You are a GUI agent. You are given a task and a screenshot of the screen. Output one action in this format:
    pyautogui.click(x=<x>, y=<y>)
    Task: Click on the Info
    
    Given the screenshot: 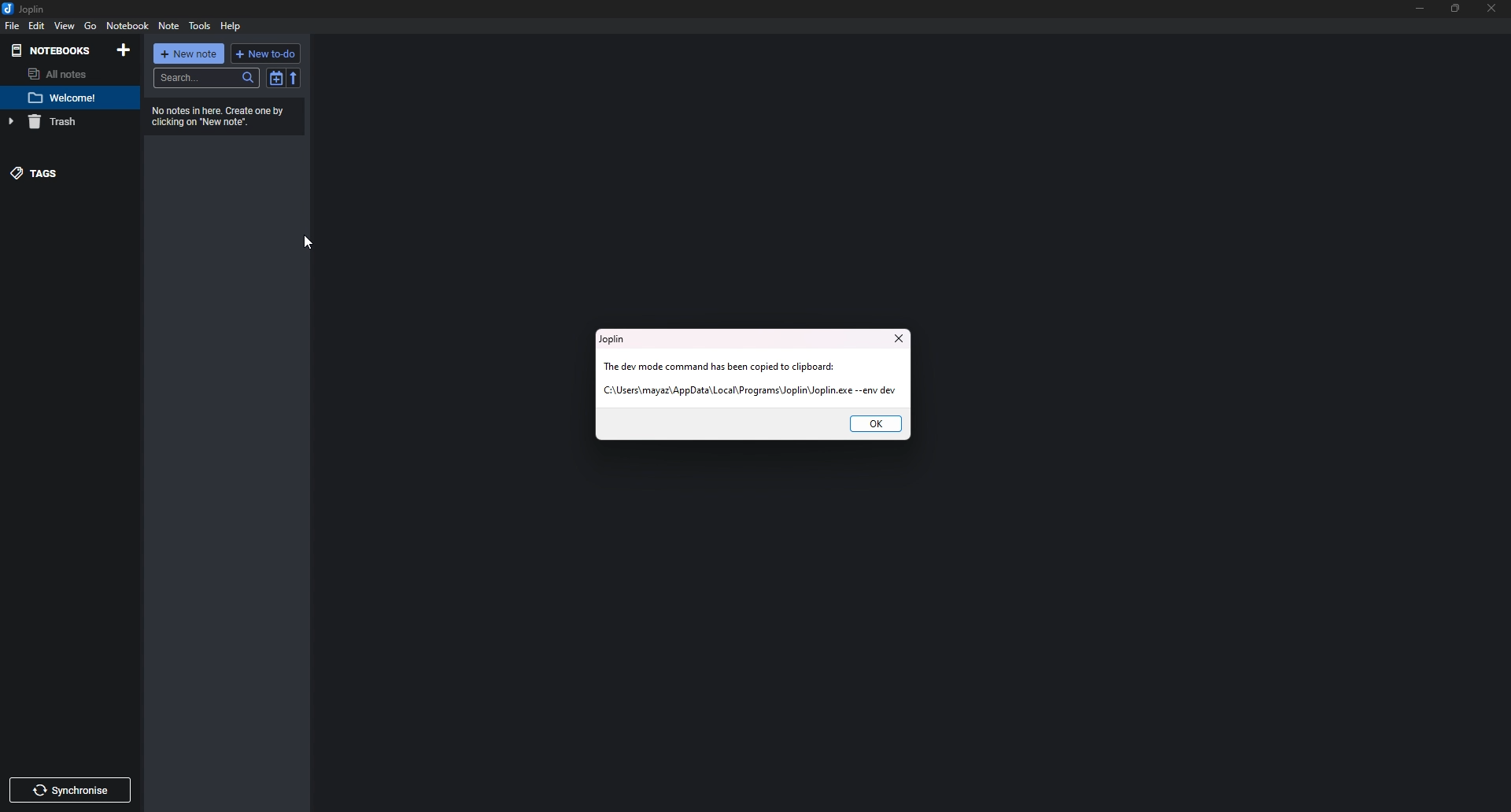 What is the action you would take?
    pyautogui.click(x=222, y=116)
    